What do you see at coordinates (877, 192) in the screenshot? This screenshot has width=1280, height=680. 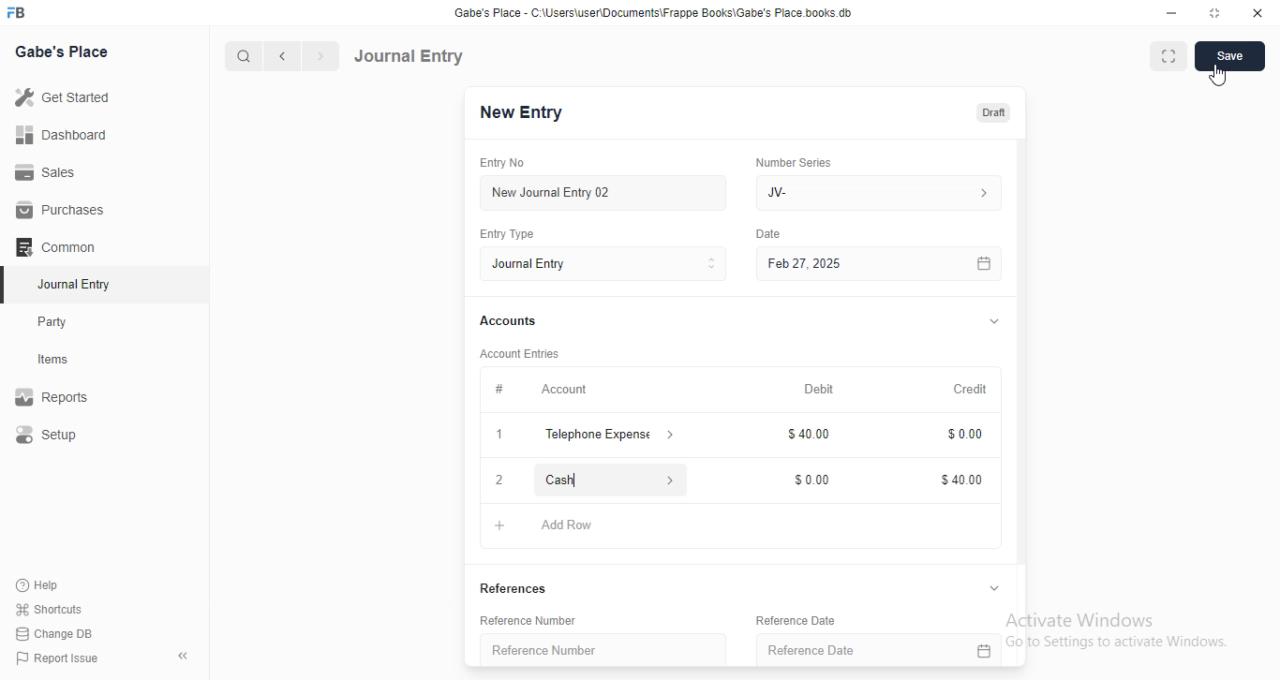 I see `IV-` at bounding box center [877, 192].